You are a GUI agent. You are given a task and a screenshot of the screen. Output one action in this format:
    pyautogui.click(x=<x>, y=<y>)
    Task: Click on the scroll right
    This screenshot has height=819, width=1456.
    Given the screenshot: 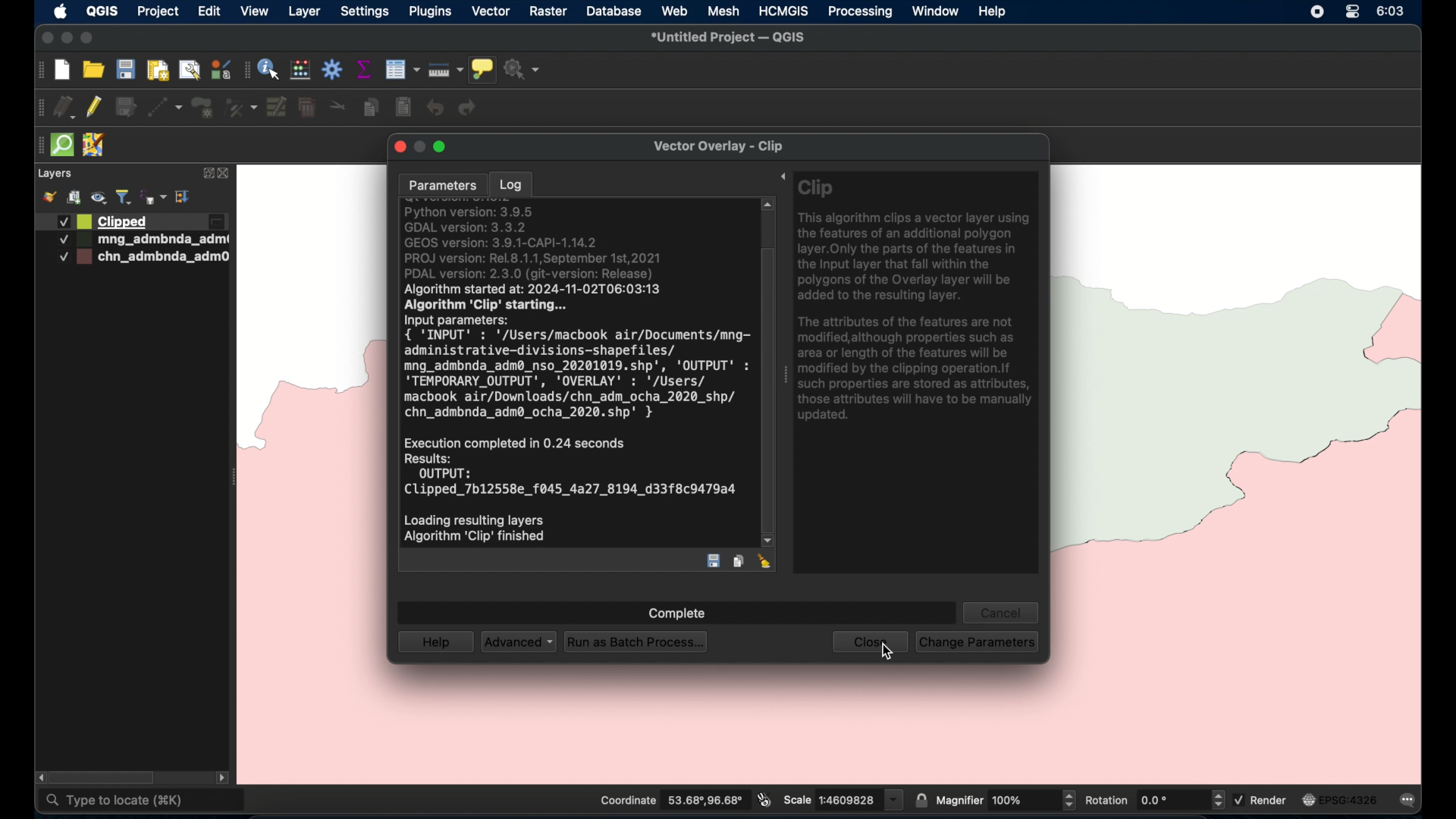 What is the action you would take?
    pyautogui.click(x=222, y=780)
    